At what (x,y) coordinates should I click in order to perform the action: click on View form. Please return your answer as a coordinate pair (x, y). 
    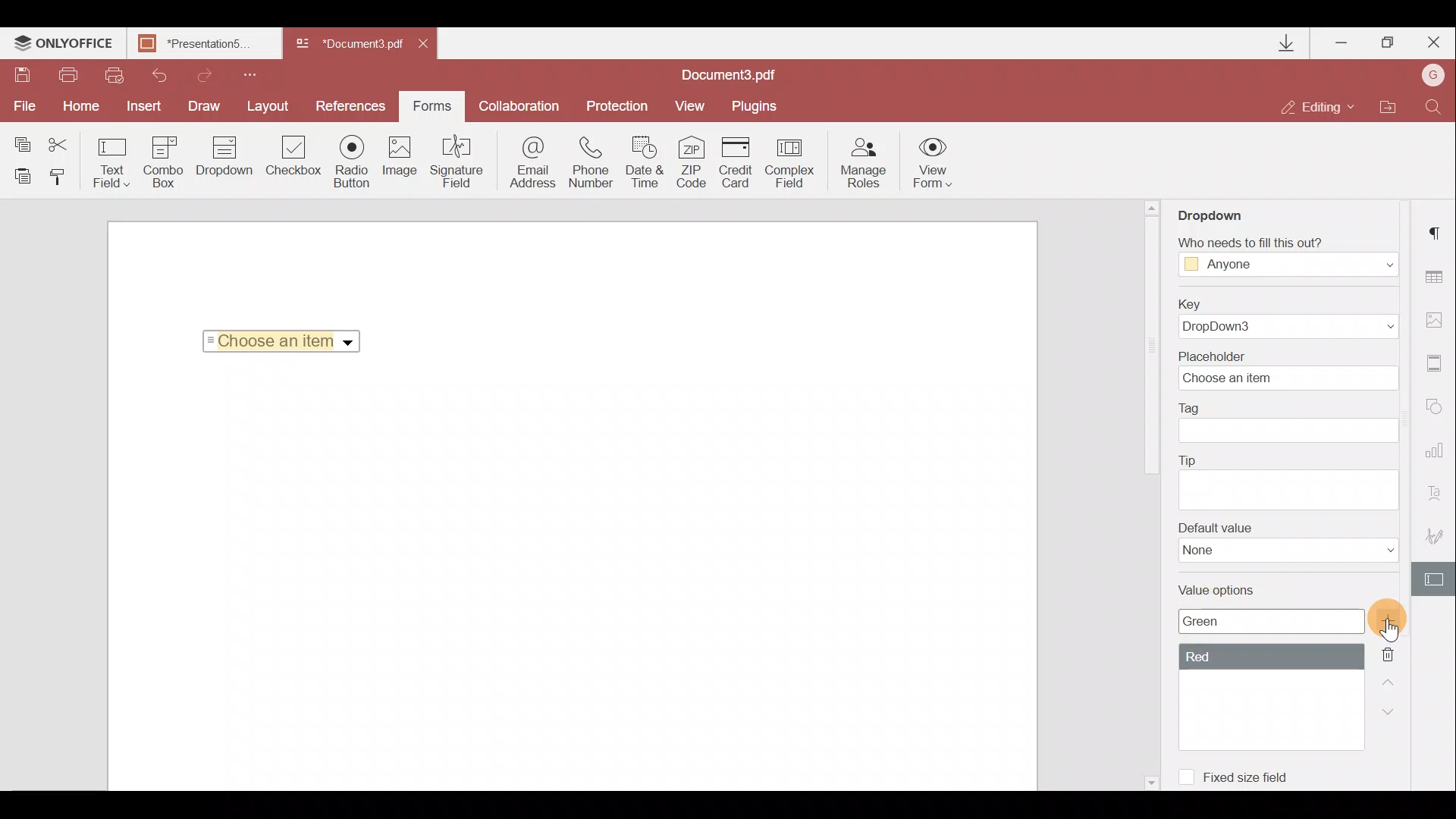
    Looking at the image, I should click on (931, 162).